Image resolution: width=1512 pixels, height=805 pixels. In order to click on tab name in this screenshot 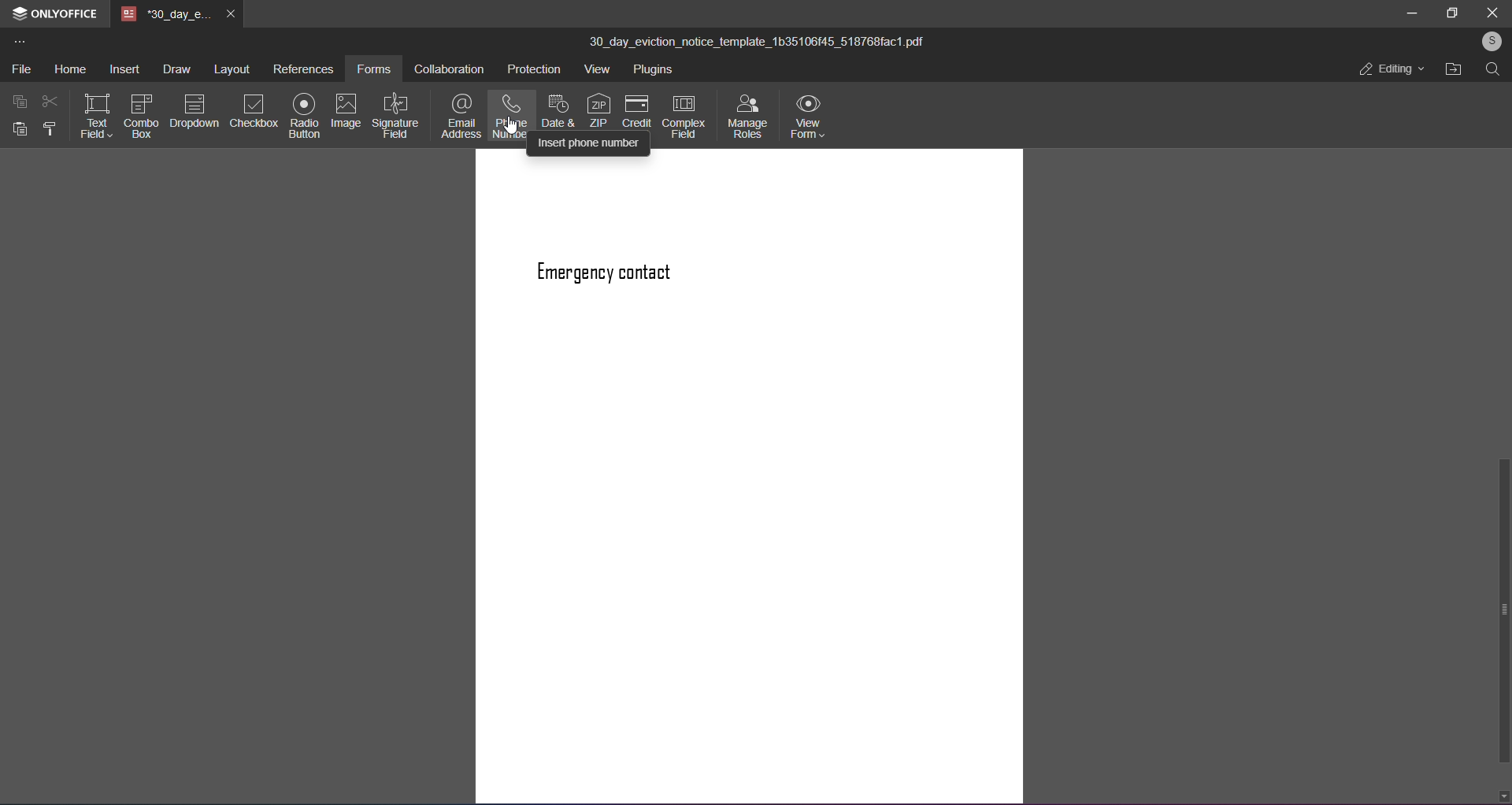, I will do `click(165, 14)`.